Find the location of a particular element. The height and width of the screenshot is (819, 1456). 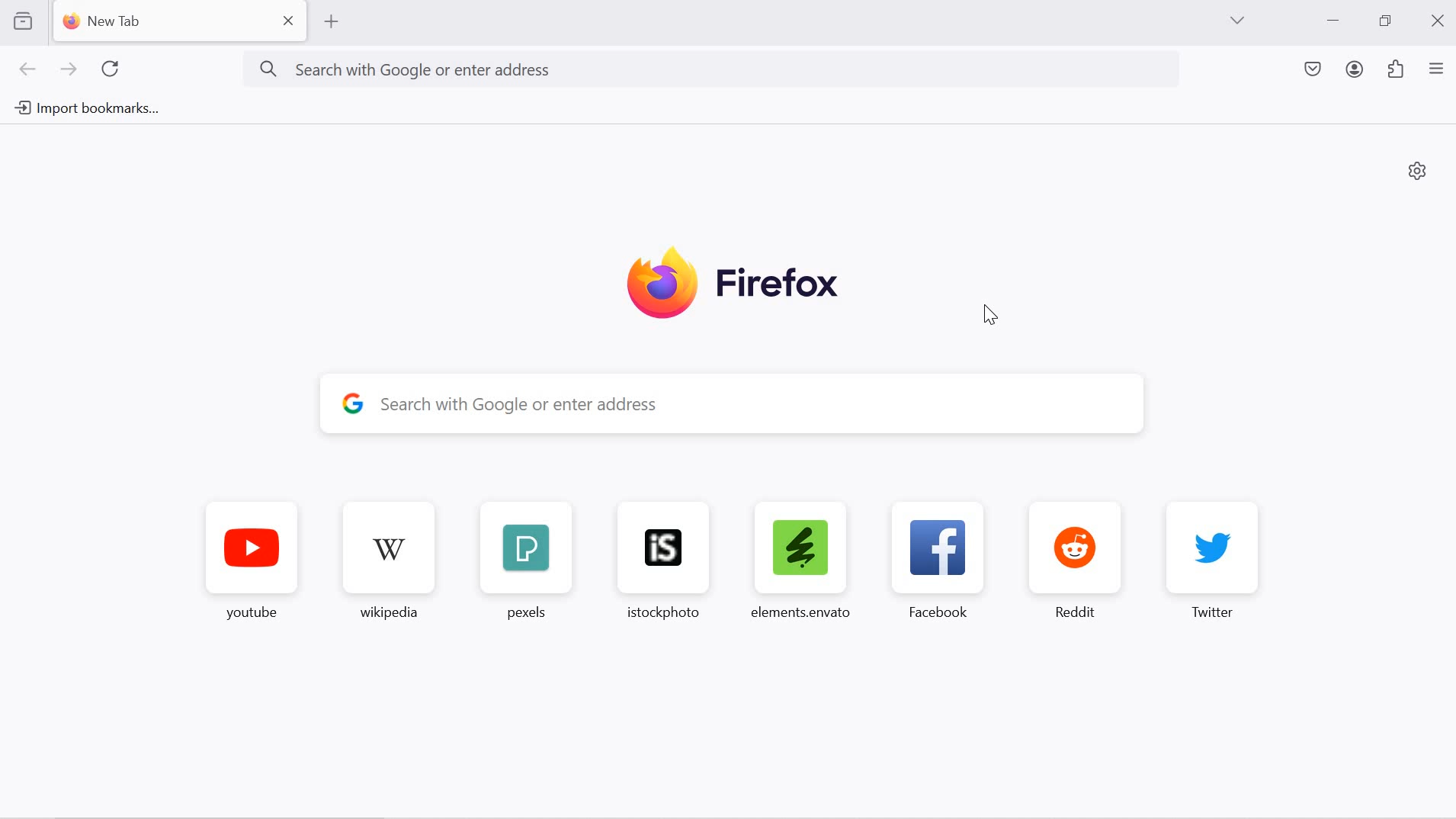

Firefox Logo is located at coordinates (728, 282).